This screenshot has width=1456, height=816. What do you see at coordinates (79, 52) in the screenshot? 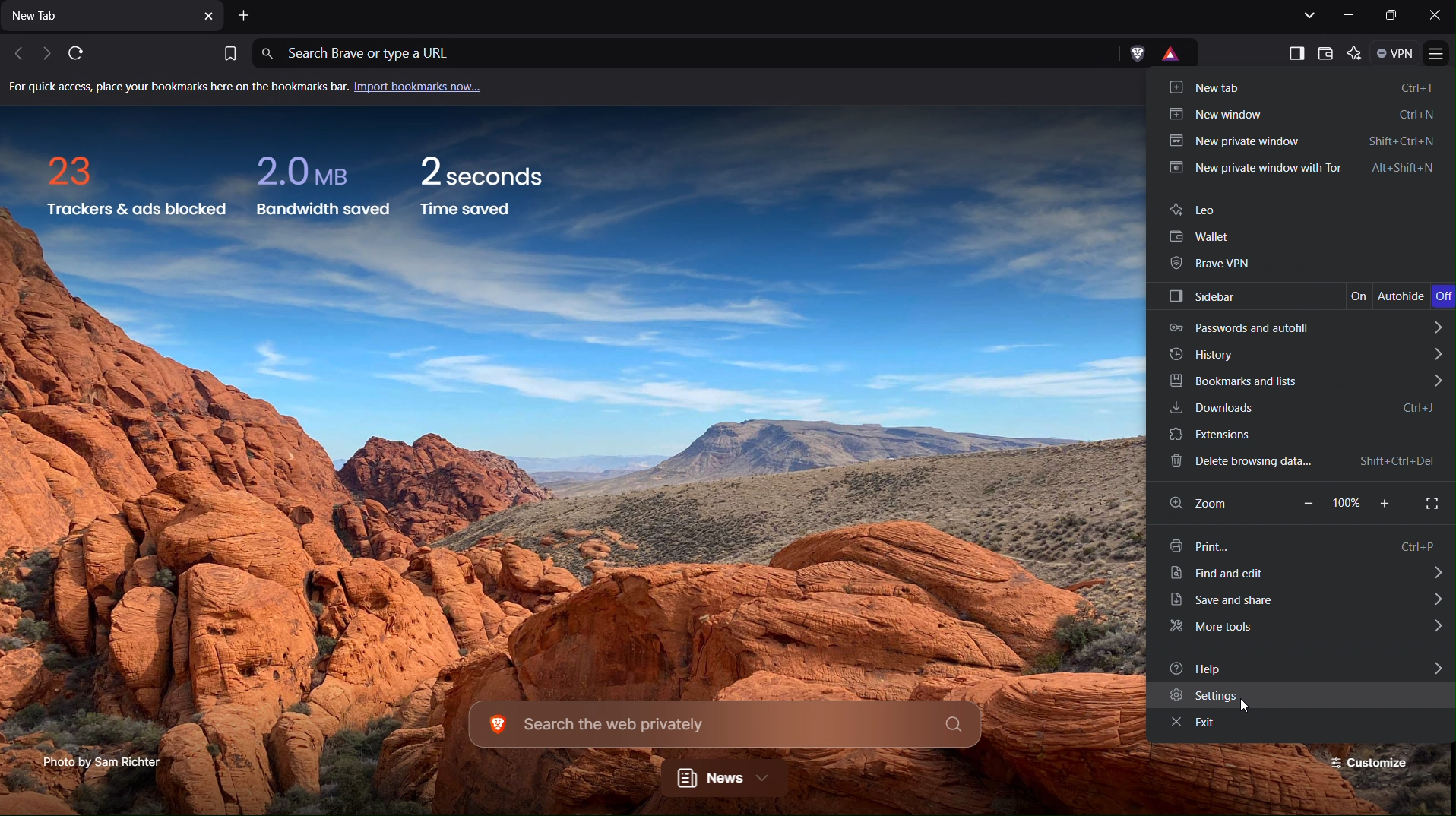
I see `Refresh` at bounding box center [79, 52].